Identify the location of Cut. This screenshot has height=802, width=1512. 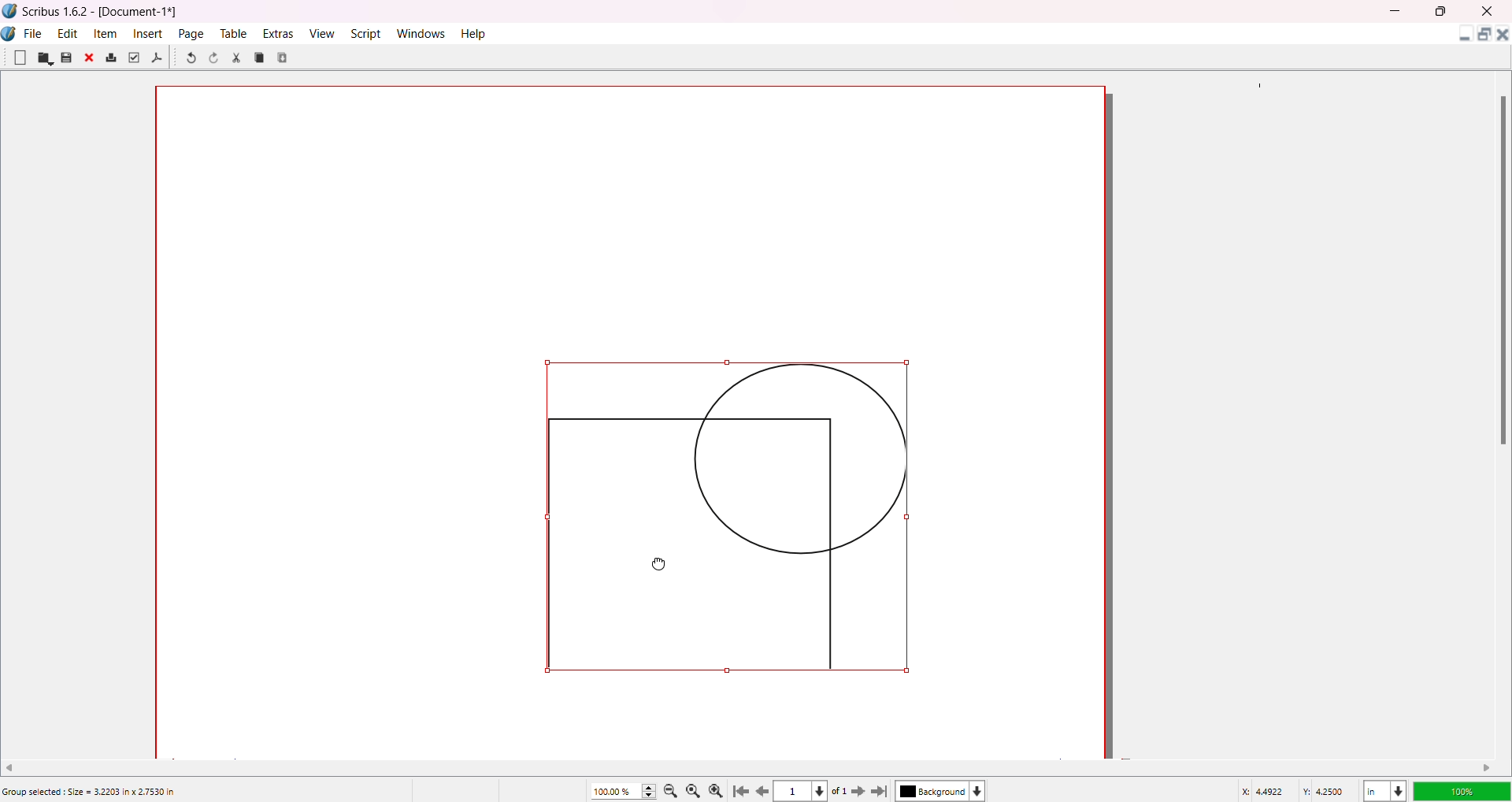
(236, 58).